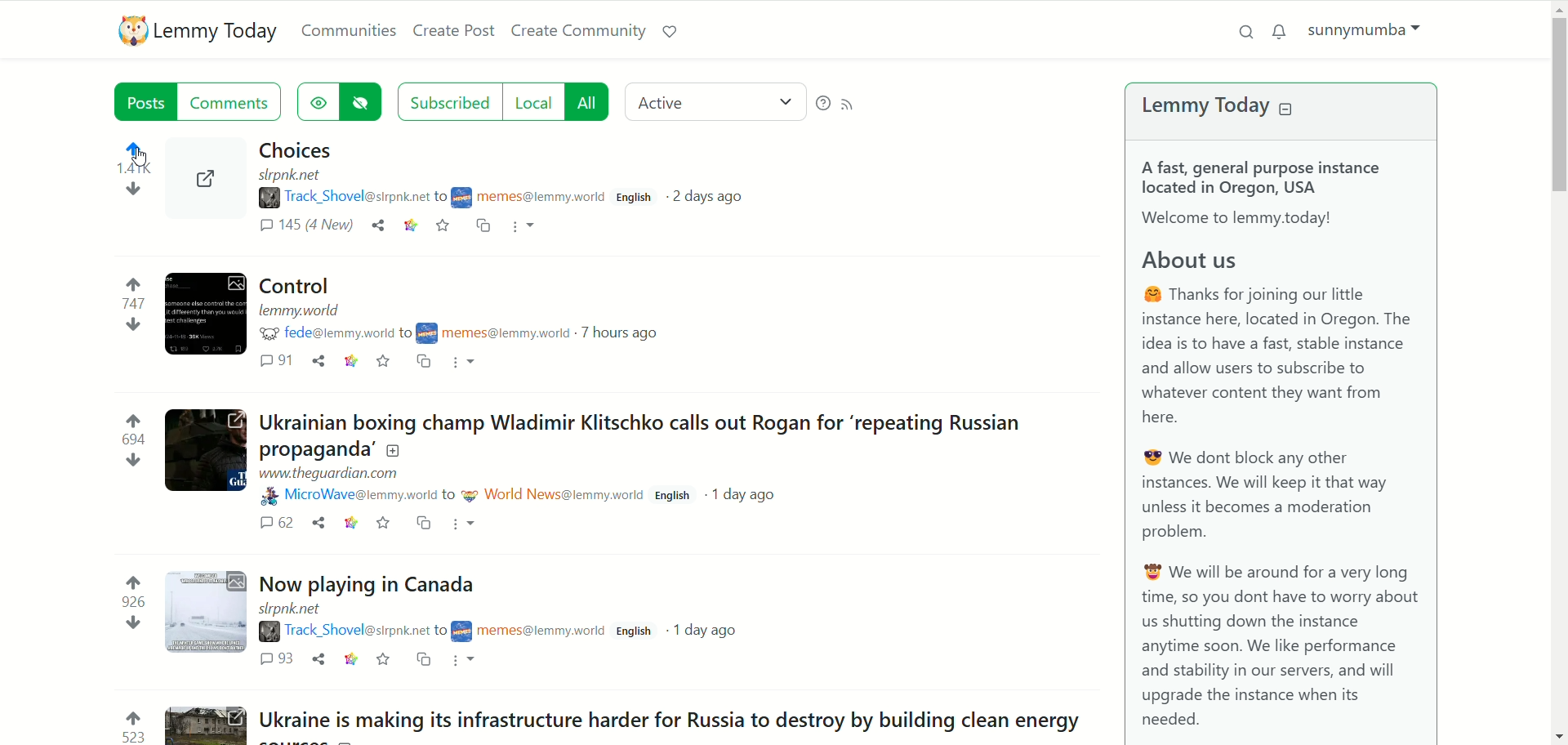  Describe the element at coordinates (137, 285) in the screenshot. I see `upvote` at that location.